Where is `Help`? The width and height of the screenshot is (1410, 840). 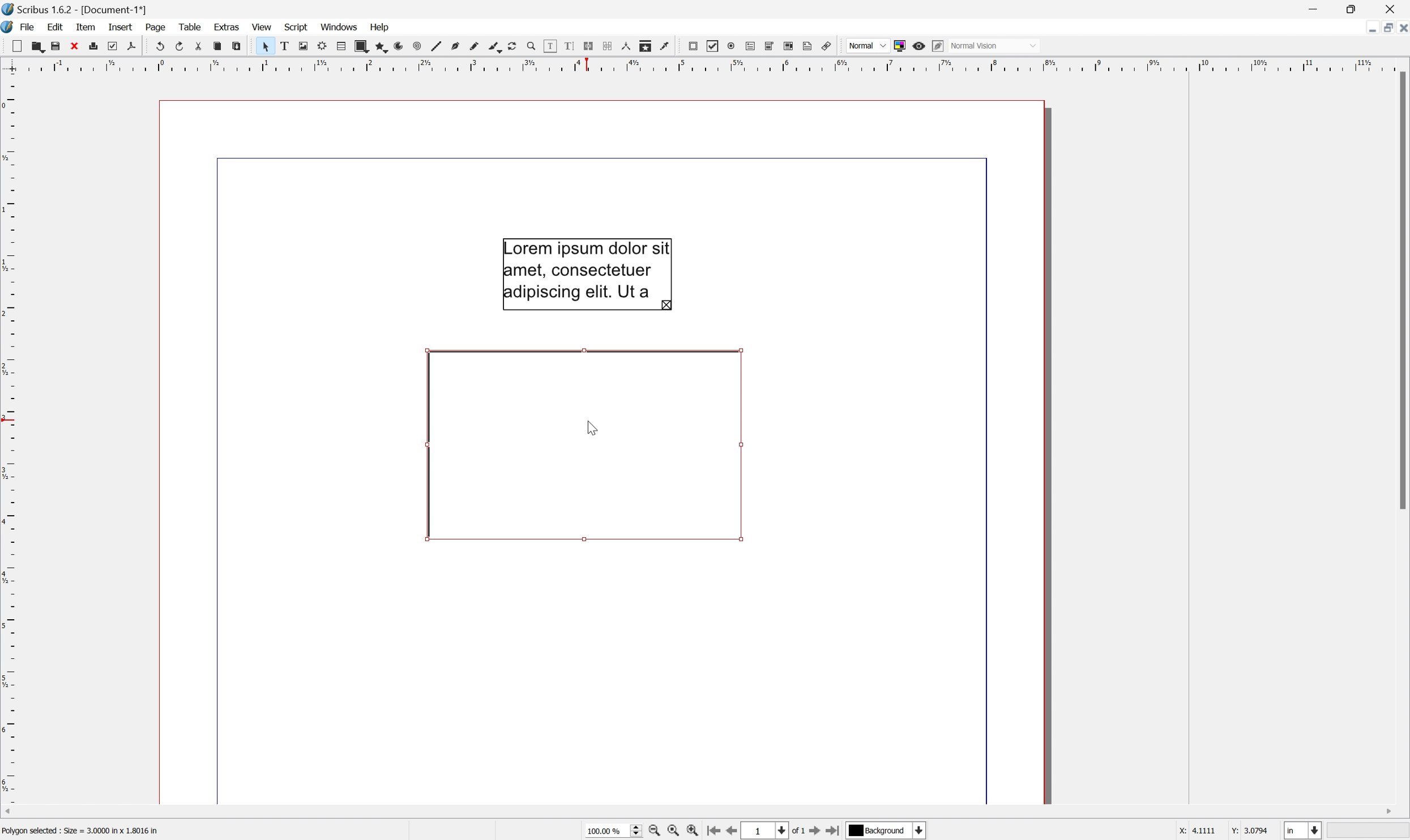
Help is located at coordinates (380, 27).